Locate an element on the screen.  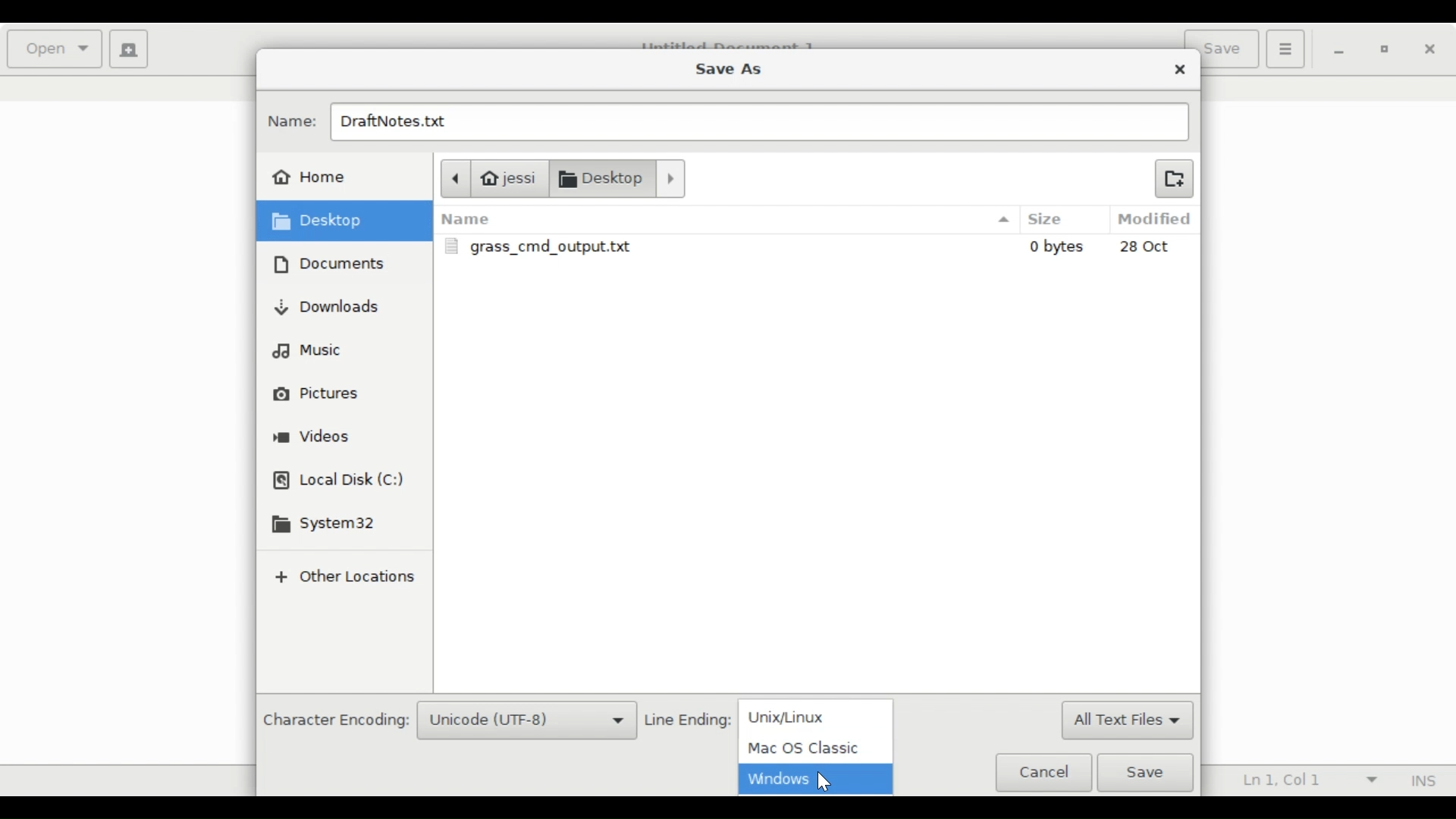
Desktop is located at coordinates (325, 221).